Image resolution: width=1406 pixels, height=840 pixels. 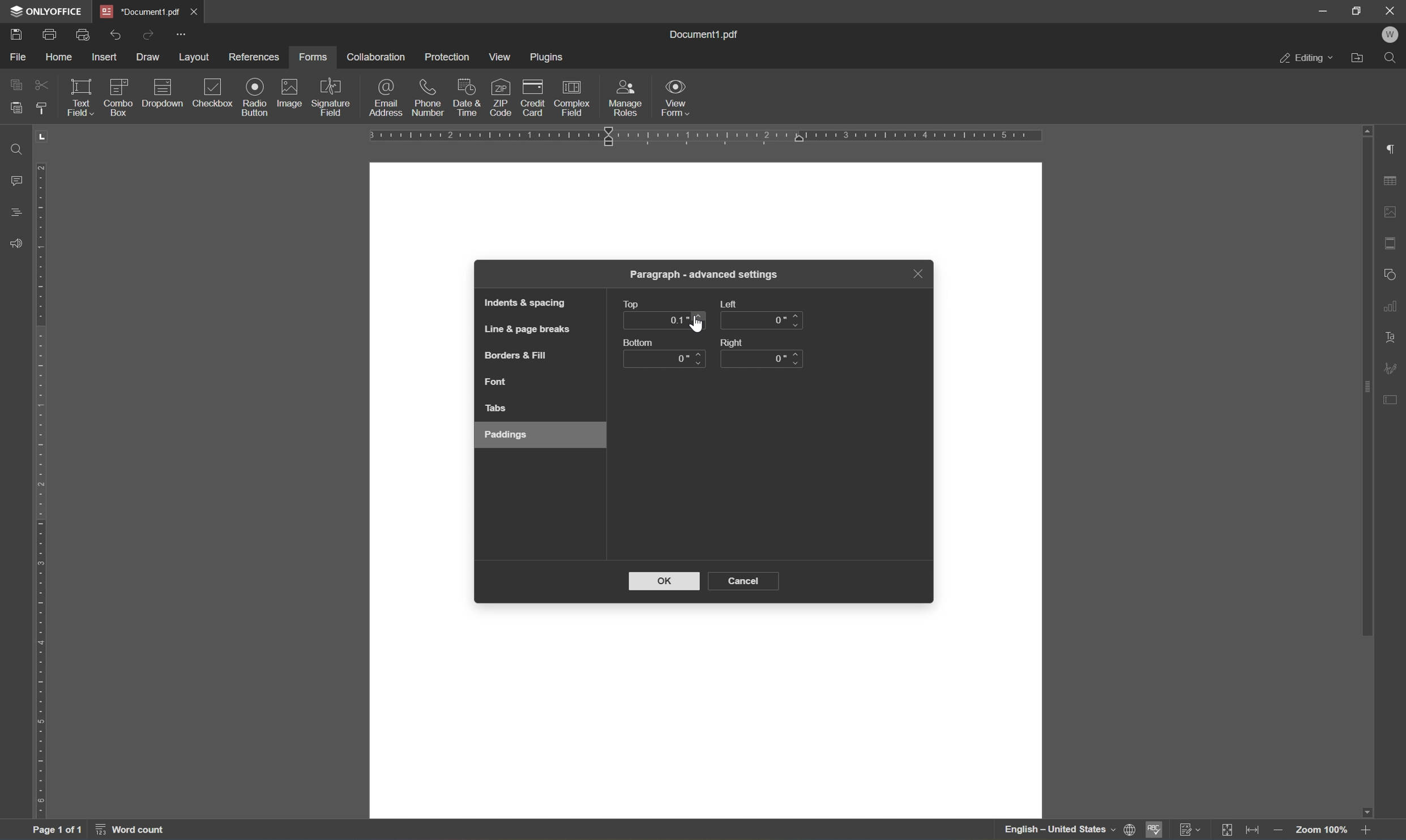 What do you see at coordinates (253, 58) in the screenshot?
I see `references` at bounding box center [253, 58].